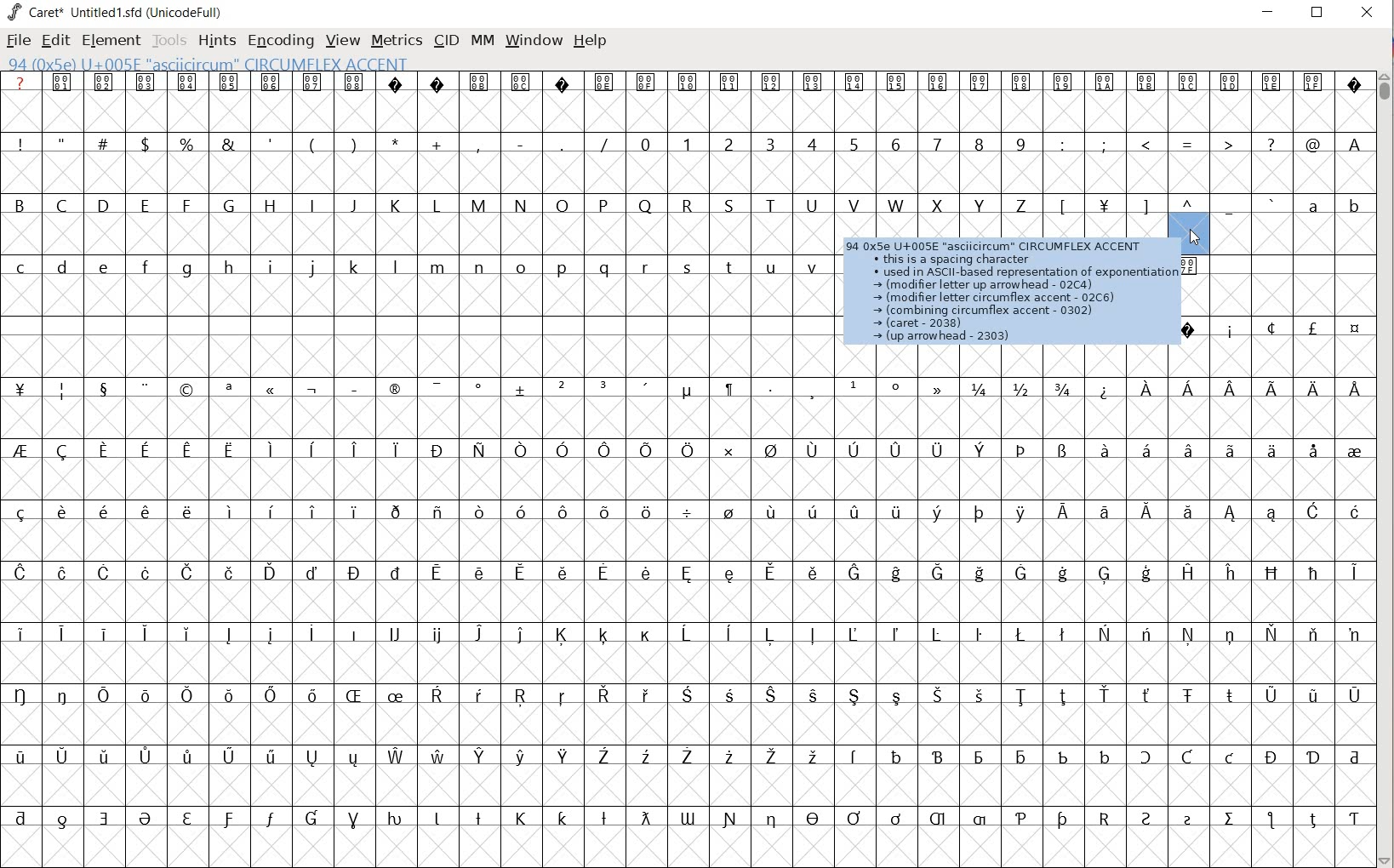  Describe the element at coordinates (1317, 16) in the screenshot. I see `RESTORE DOWN` at that location.